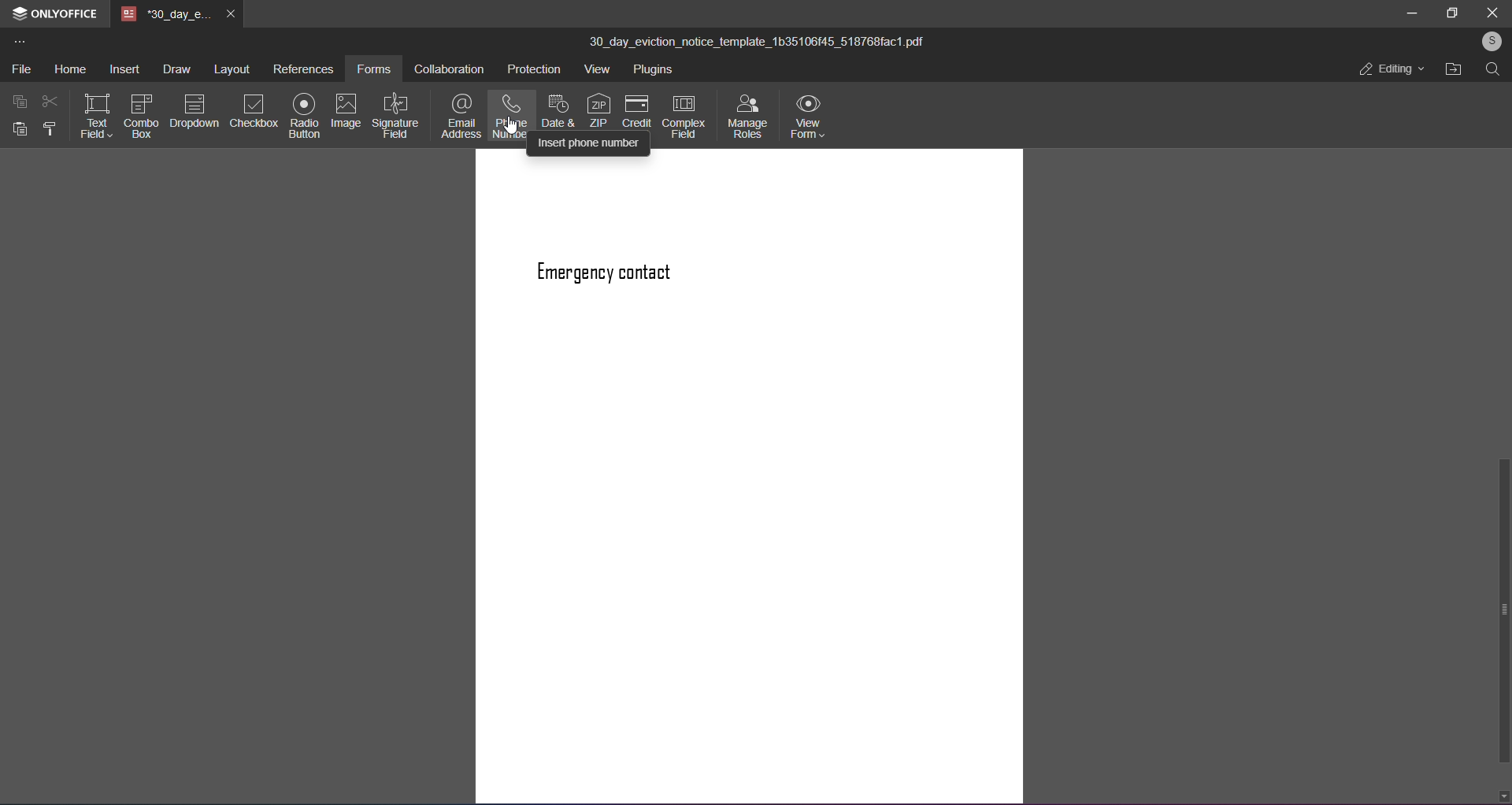 This screenshot has width=1512, height=805. Describe the element at coordinates (502, 138) in the screenshot. I see `cursor` at that location.